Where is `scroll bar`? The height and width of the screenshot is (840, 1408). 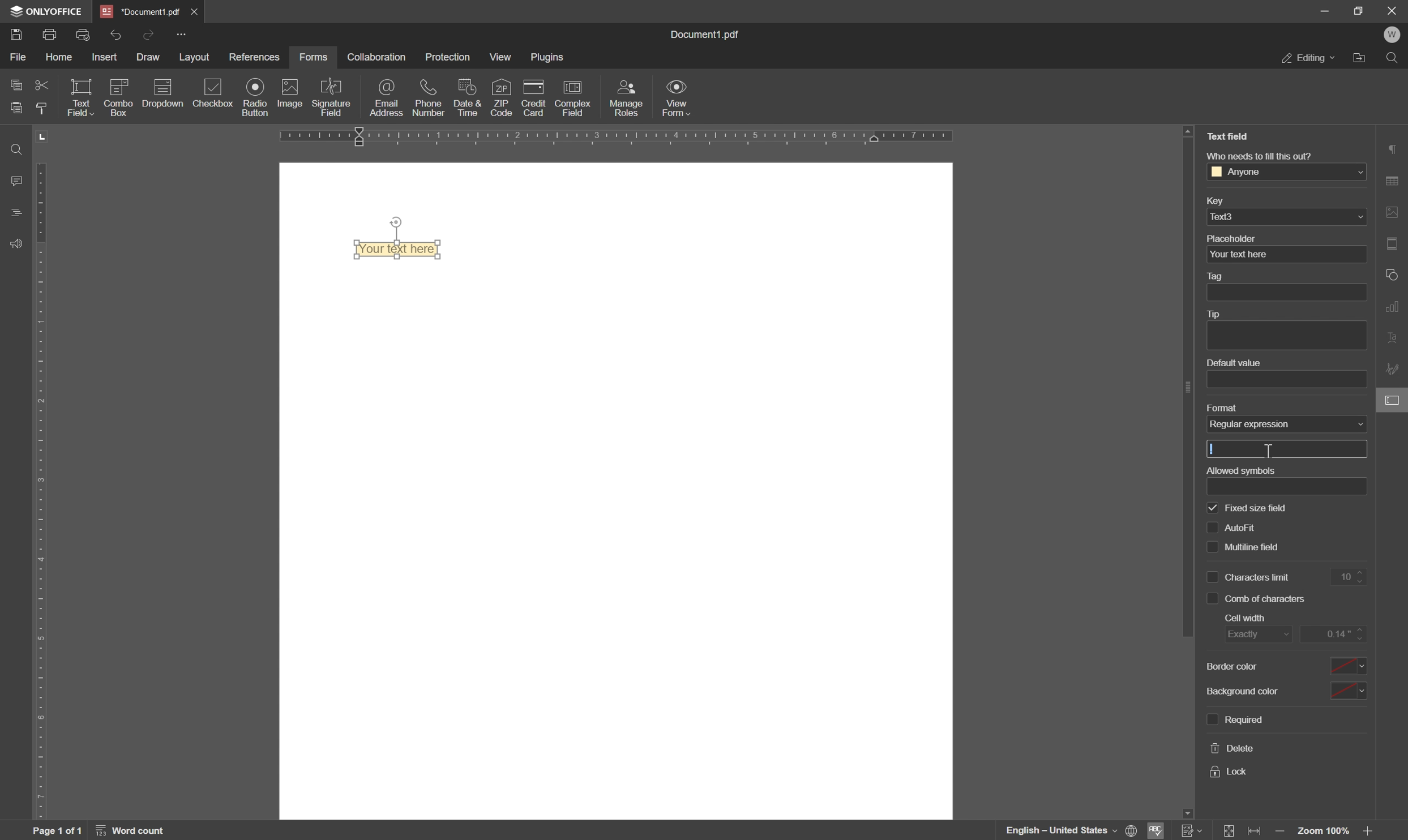 scroll bar is located at coordinates (1183, 392).